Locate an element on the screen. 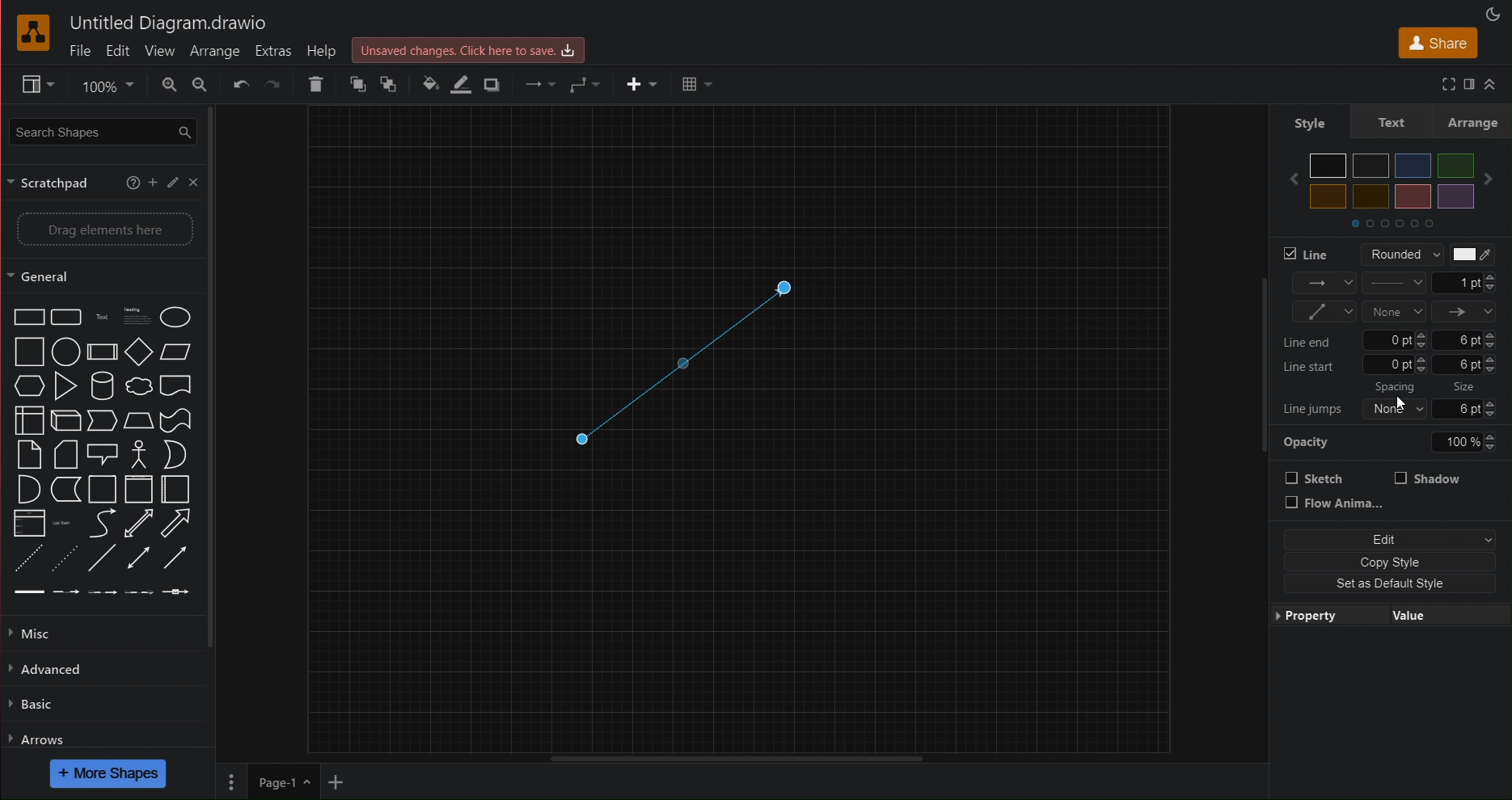  Style Colors is located at coordinates (1396, 188).